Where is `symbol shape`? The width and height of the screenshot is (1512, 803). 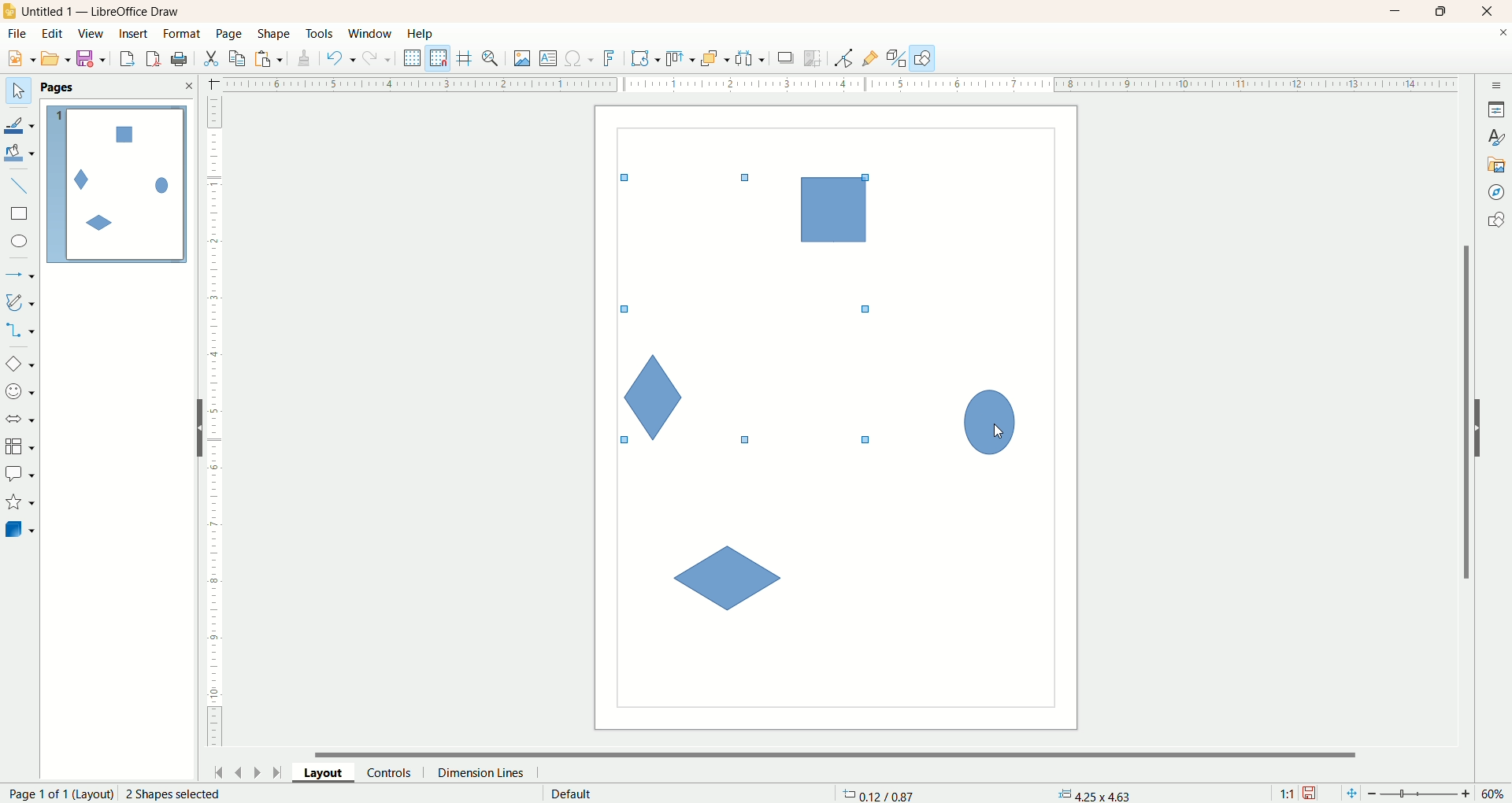 symbol shape is located at coordinates (22, 393).